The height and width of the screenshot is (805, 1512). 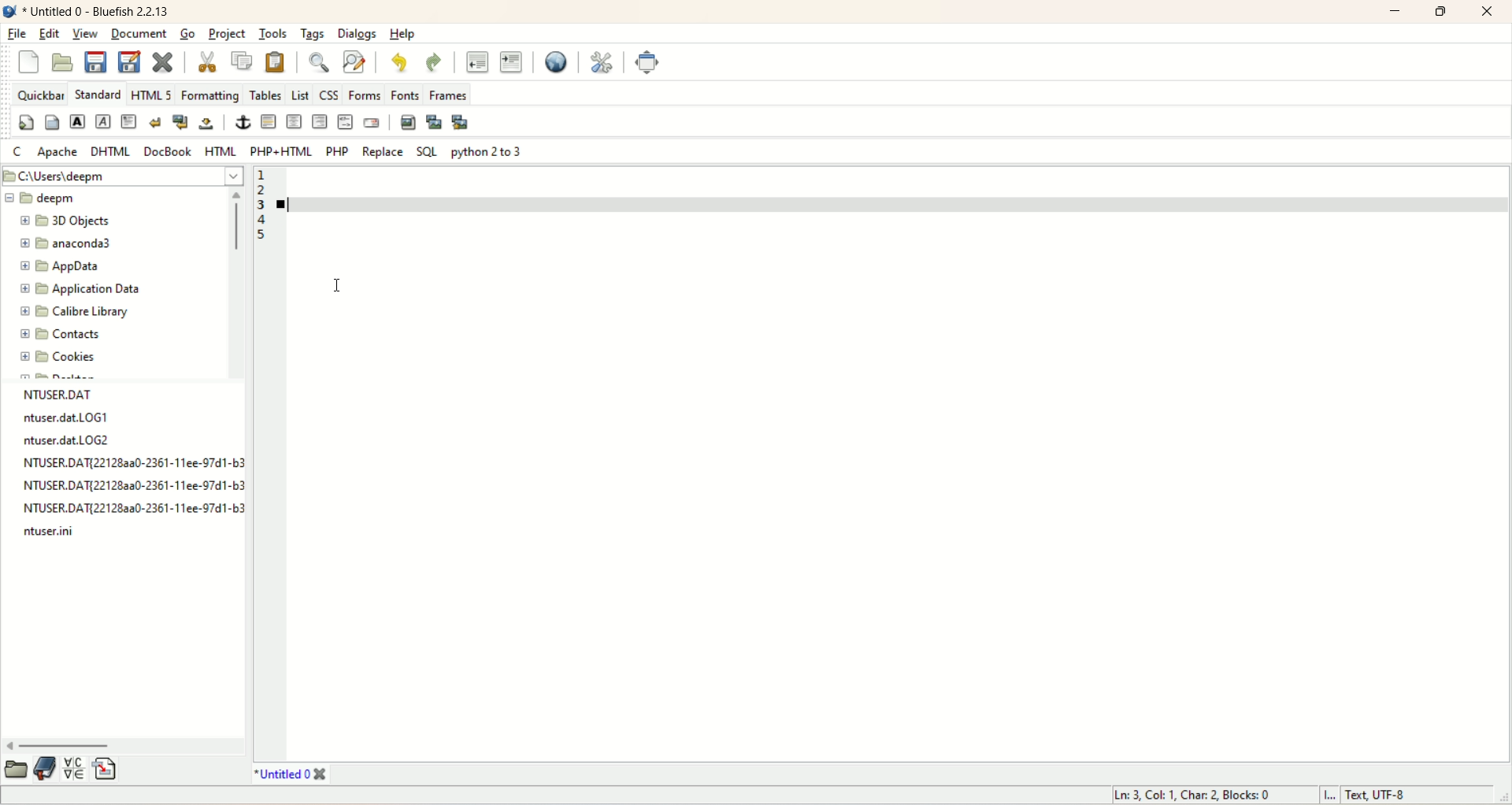 What do you see at coordinates (473, 63) in the screenshot?
I see `unindent` at bounding box center [473, 63].